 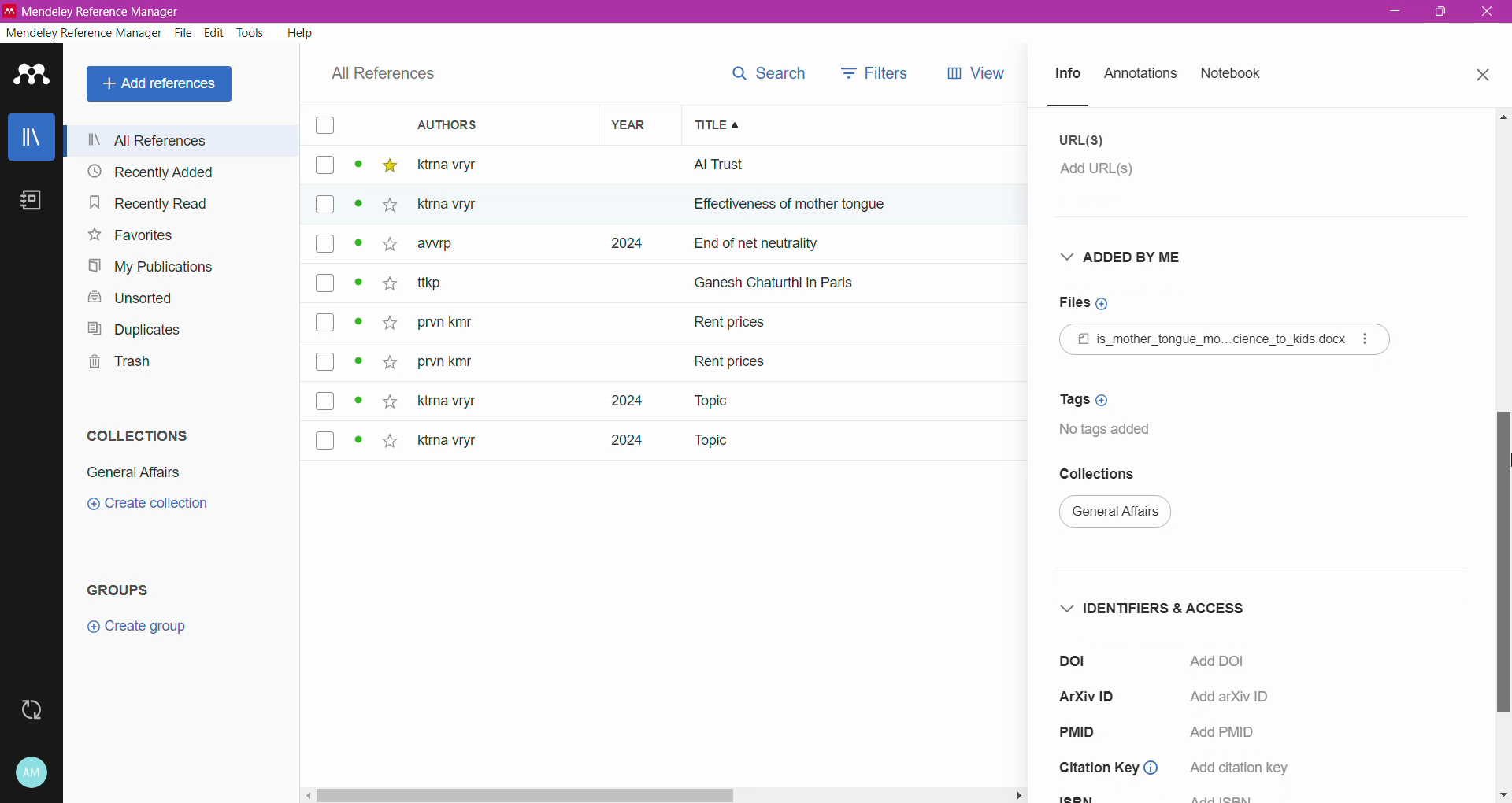 I want to click on search, so click(x=766, y=73).